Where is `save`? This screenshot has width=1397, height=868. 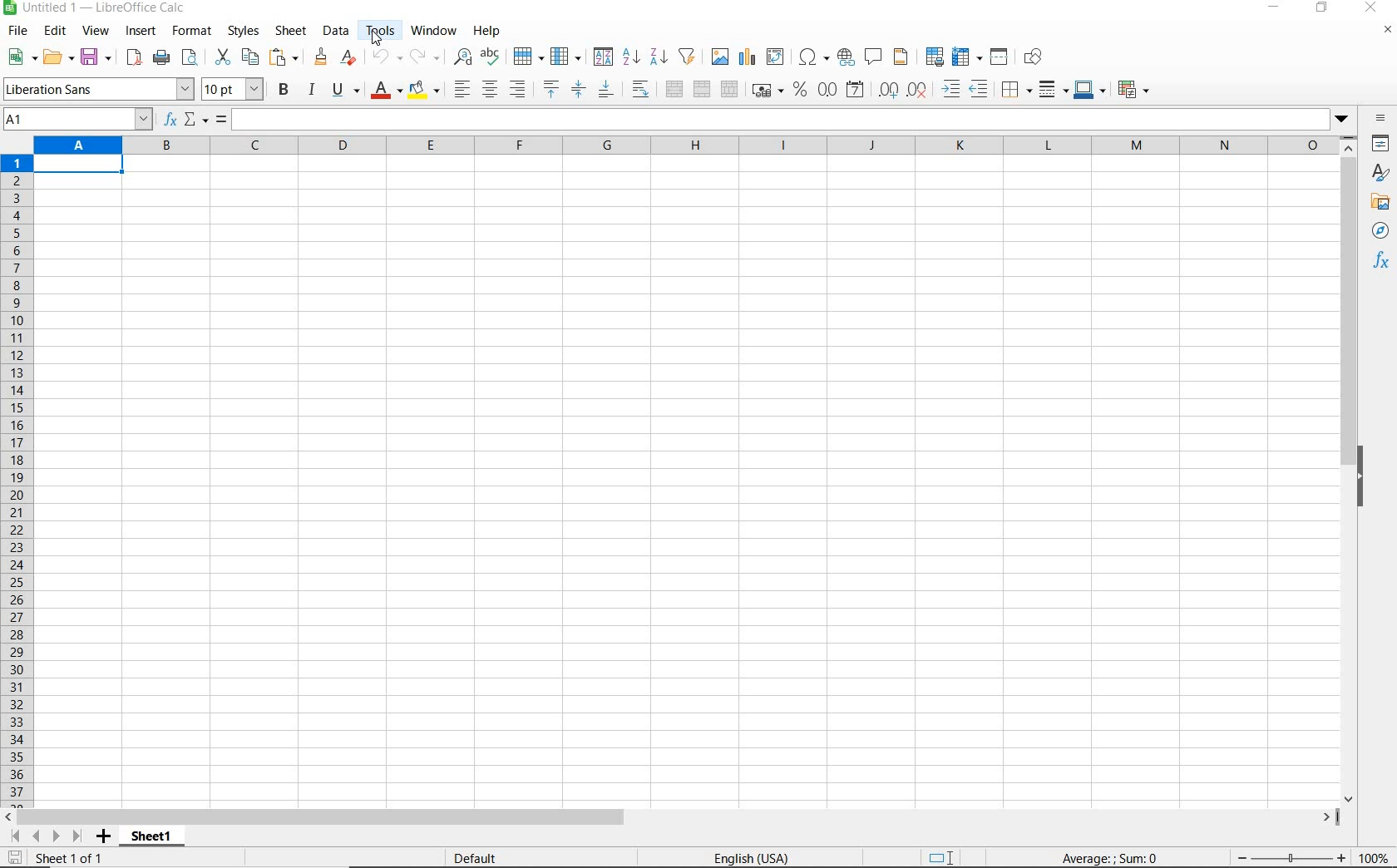
save is located at coordinates (96, 57).